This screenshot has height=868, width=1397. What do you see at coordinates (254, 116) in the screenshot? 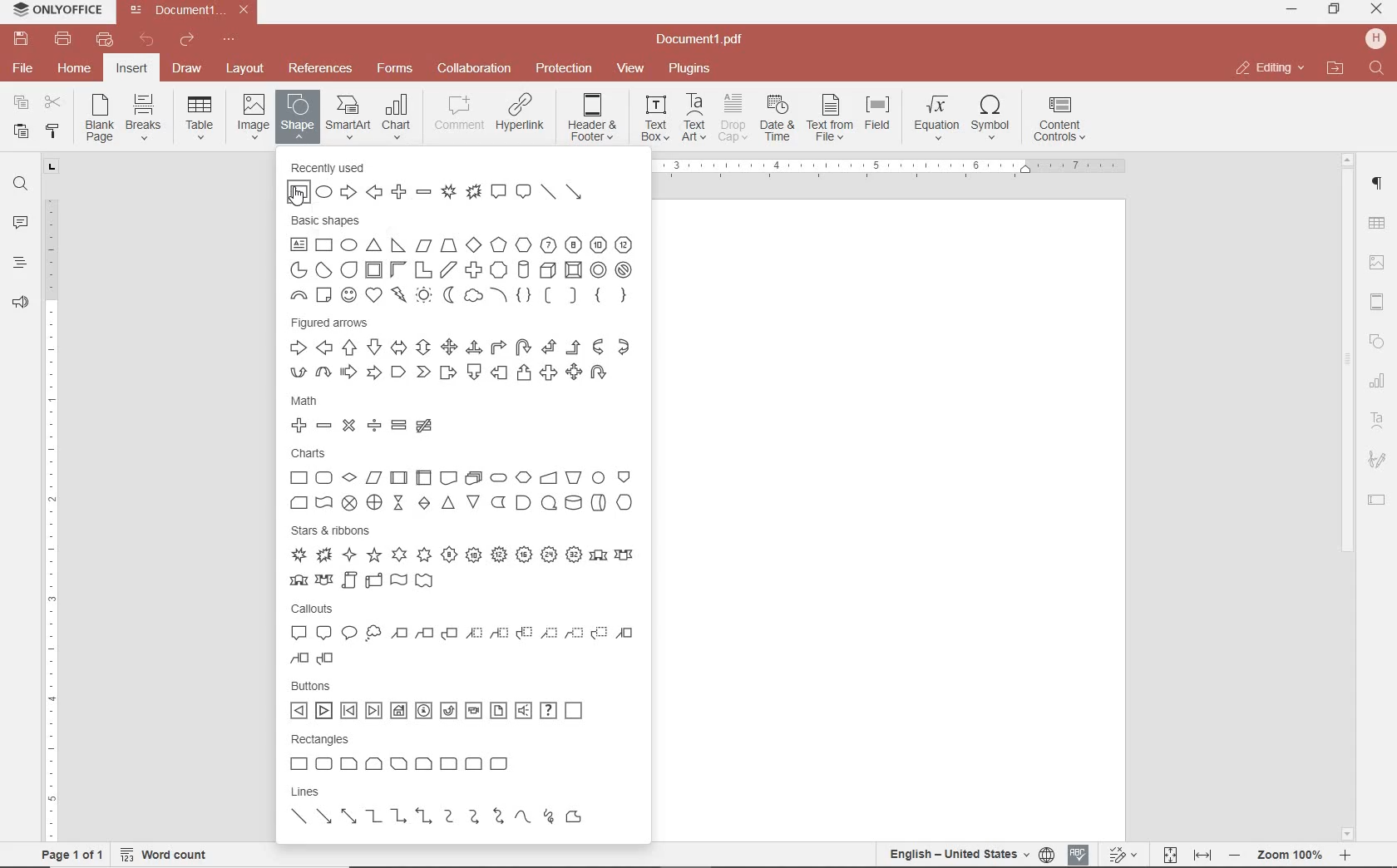
I see `INSERT IMAGES` at bounding box center [254, 116].